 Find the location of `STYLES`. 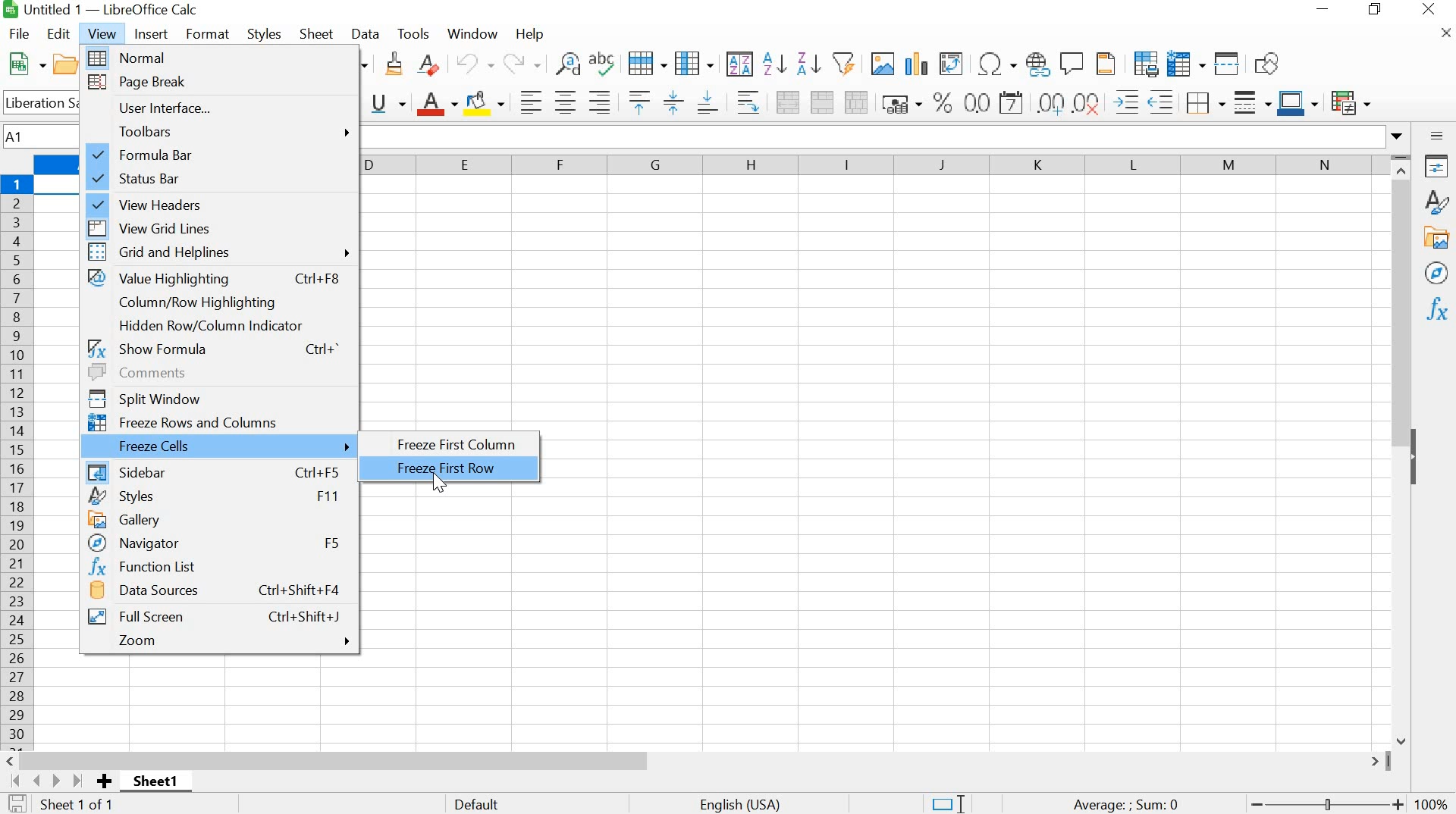

STYLES is located at coordinates (1436, 202).